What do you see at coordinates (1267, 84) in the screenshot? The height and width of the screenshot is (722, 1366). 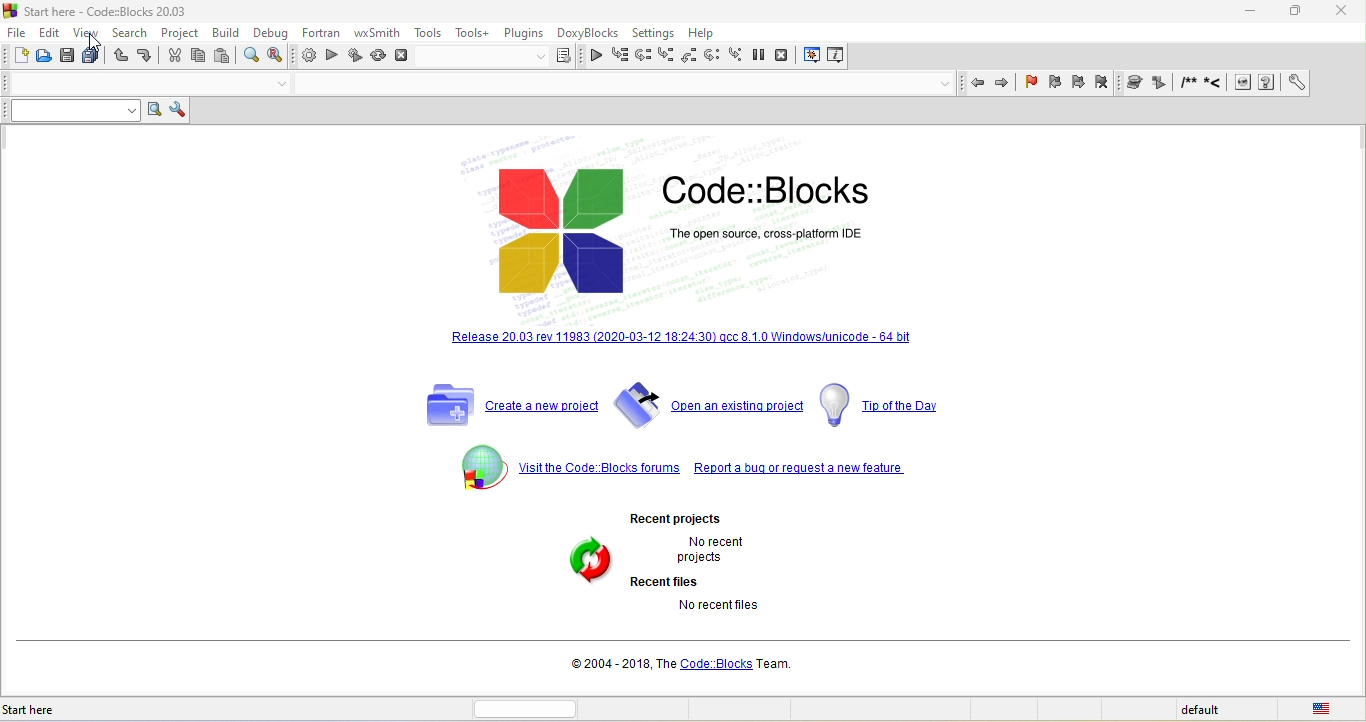 I see `run chm` at bounding box center [1267, 84].